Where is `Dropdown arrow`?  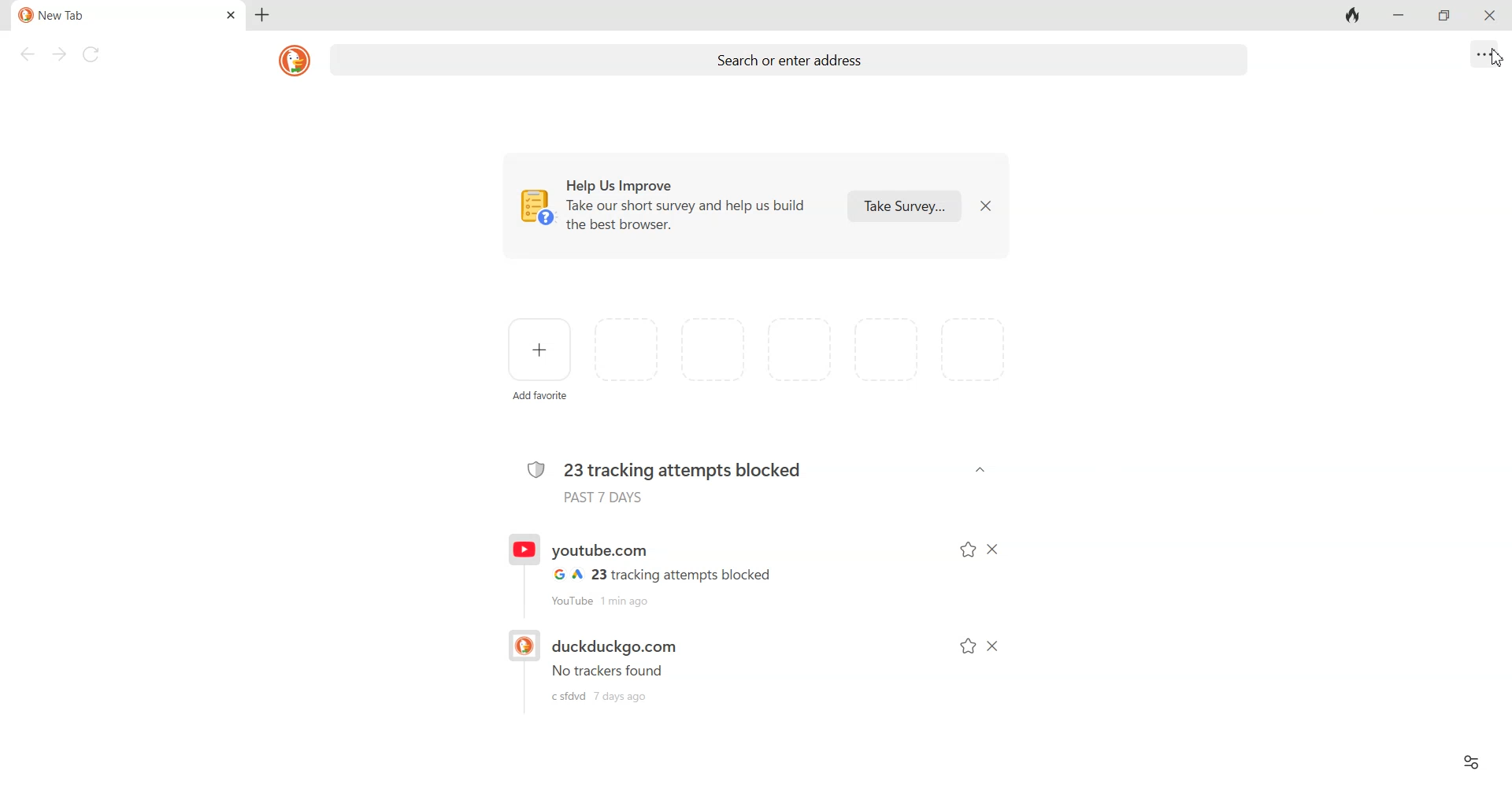 Dropdown arrow is located at coordinates (980, 470).